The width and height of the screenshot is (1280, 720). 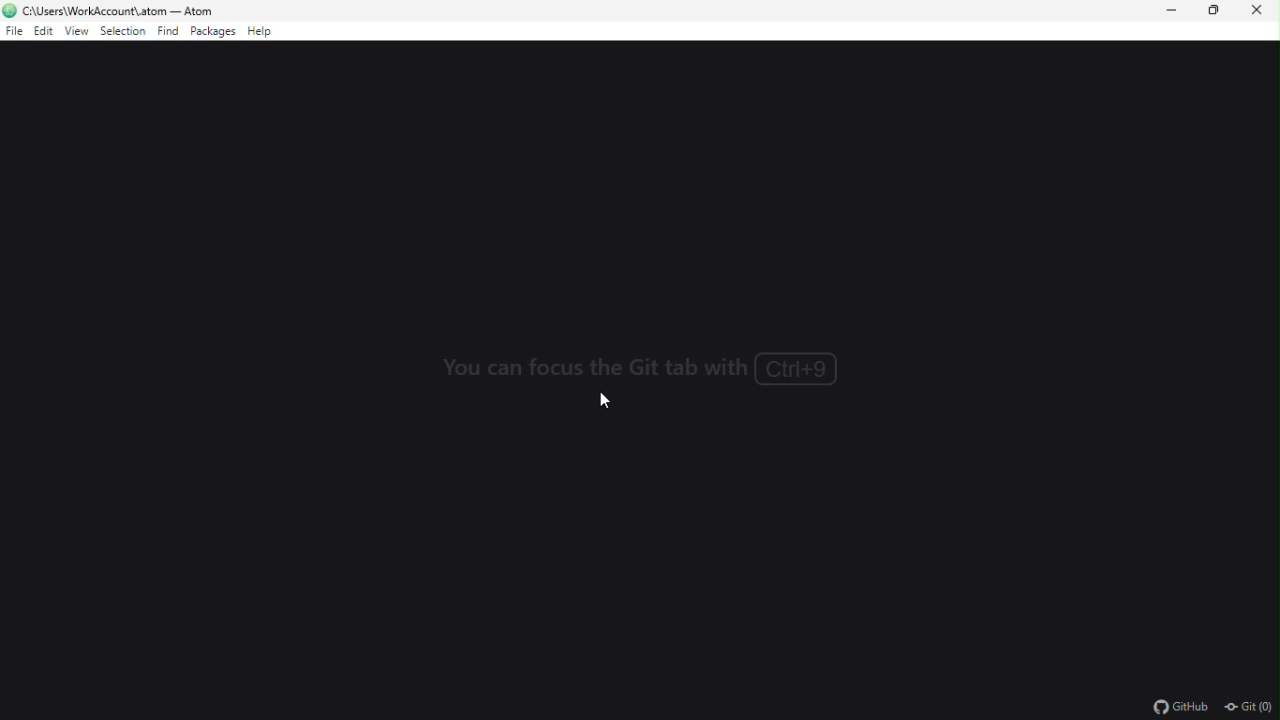 I want to click on packages, so click(x=212, y=32).